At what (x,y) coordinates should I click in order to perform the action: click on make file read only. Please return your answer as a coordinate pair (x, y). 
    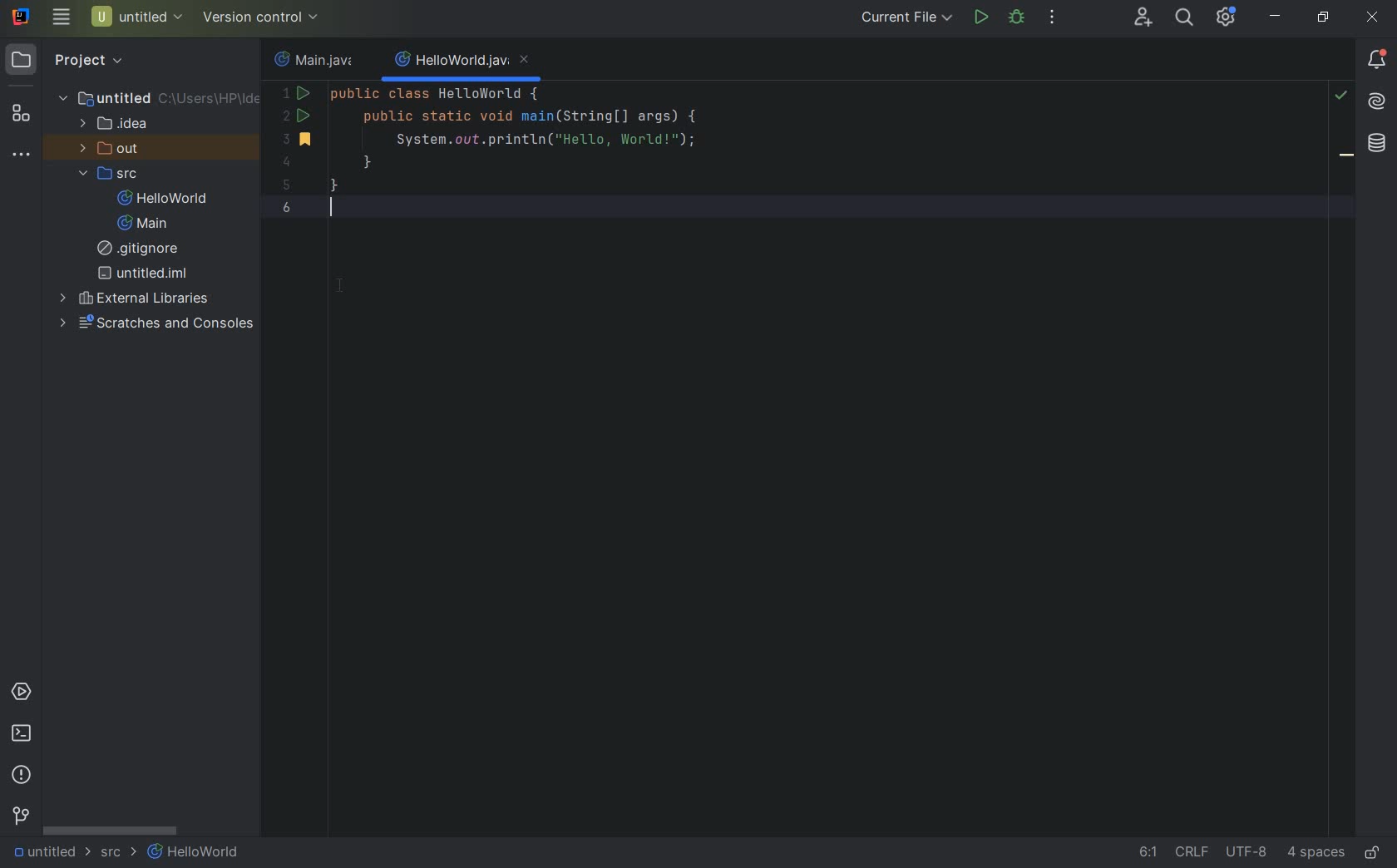
    Looking at the image, I should click on (1375, 852).